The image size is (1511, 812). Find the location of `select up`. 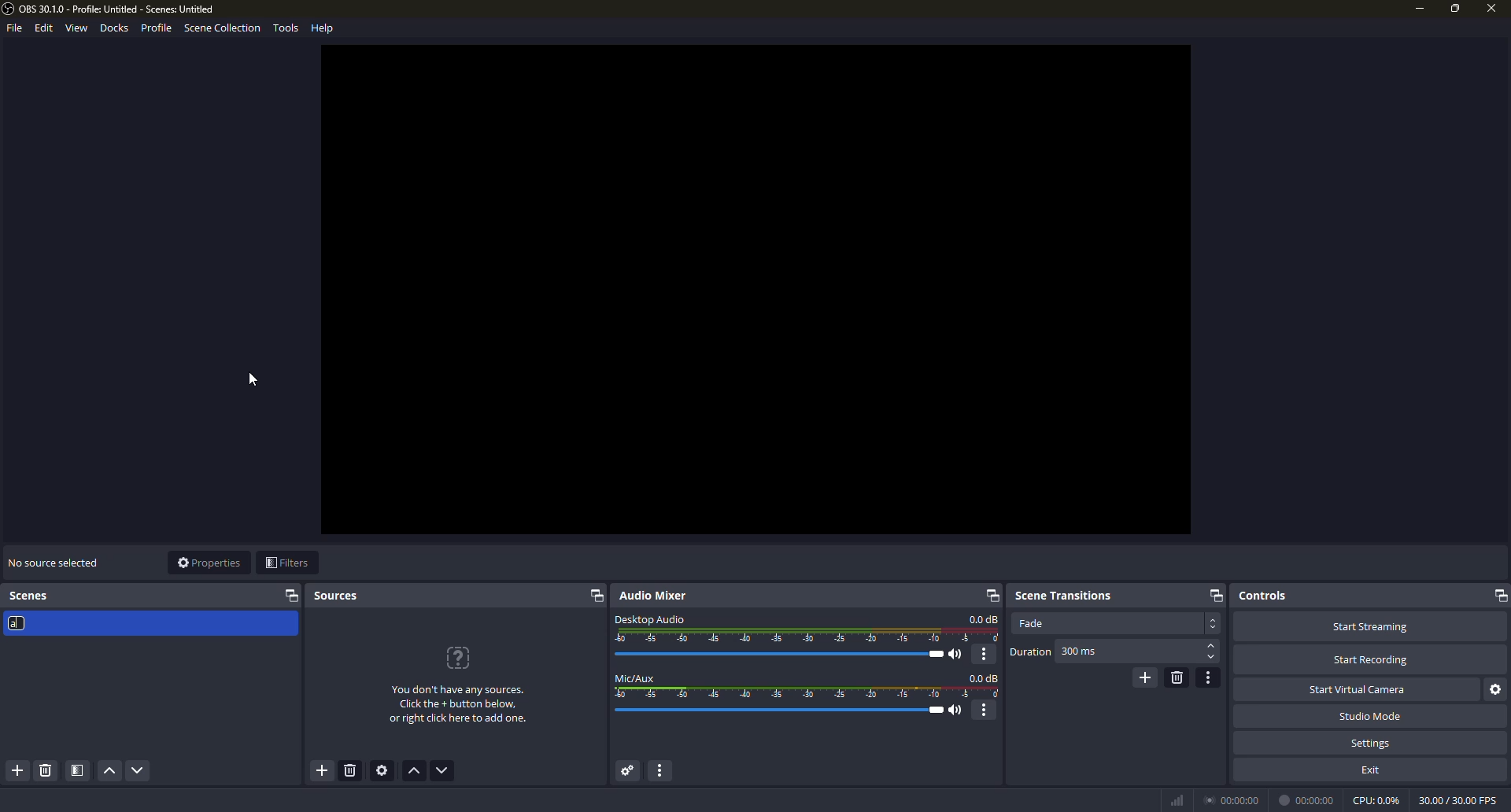

select up is located at coordinates (1212, 646).